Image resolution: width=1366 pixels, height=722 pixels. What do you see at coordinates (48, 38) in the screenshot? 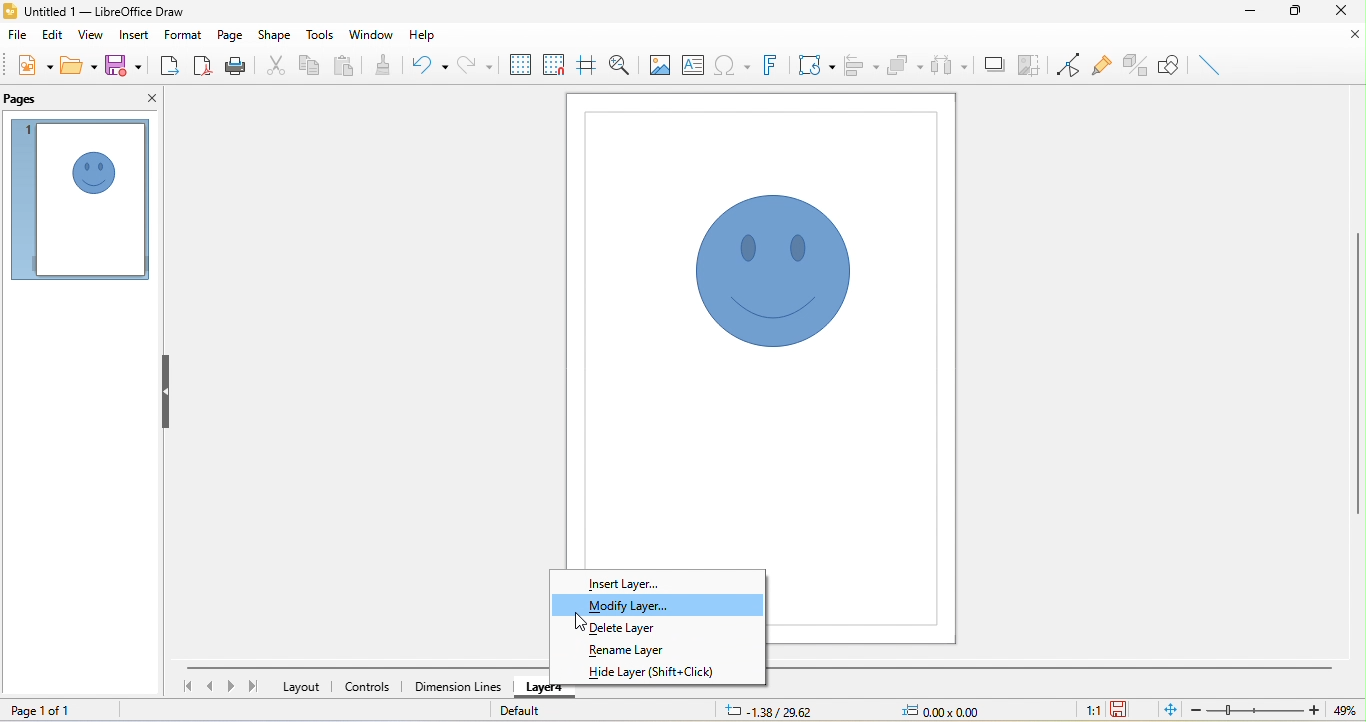
I see `edit` at bounding box center [48, 38].